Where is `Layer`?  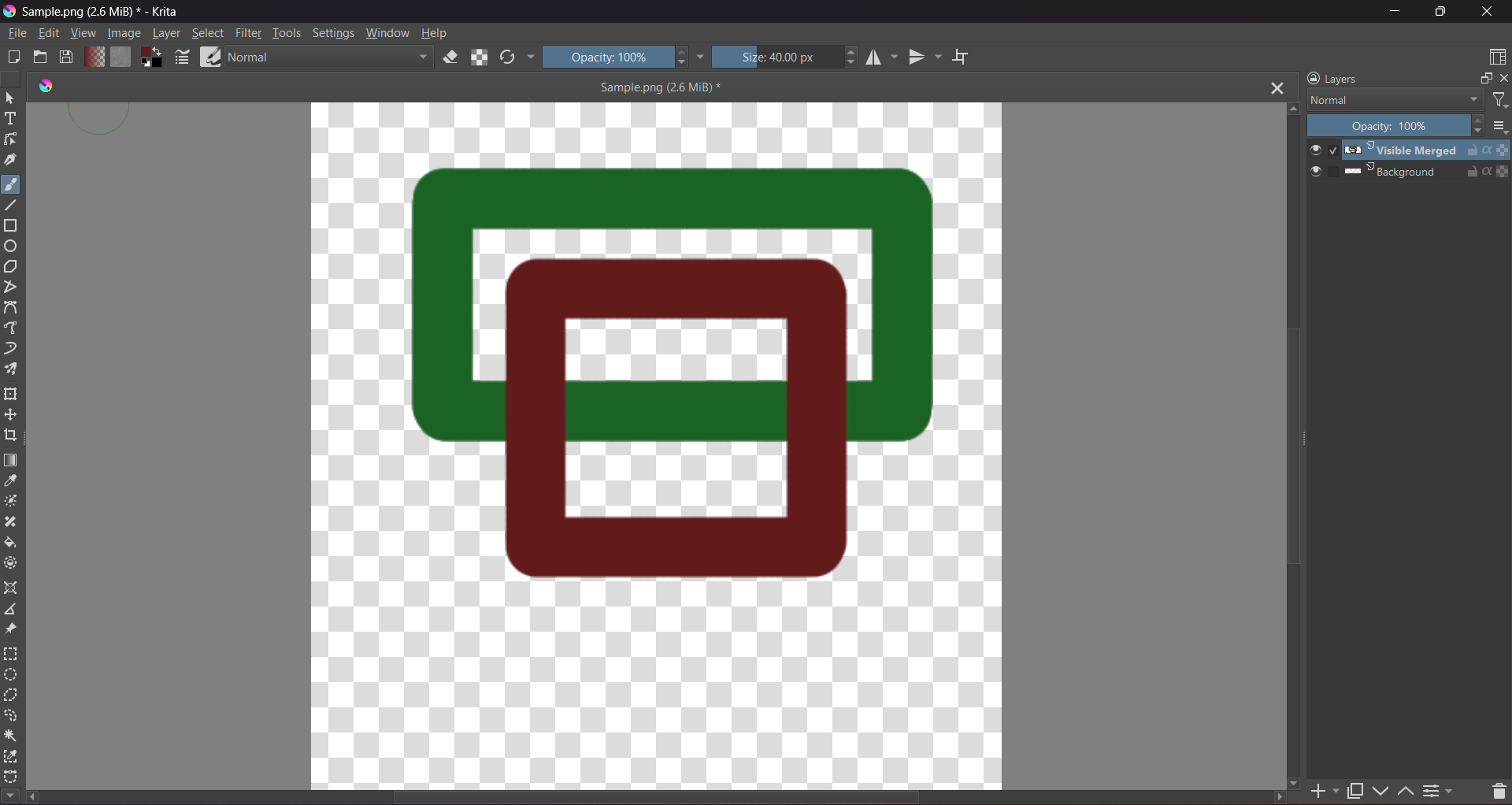
Layer is located at coordinates (167, 35).